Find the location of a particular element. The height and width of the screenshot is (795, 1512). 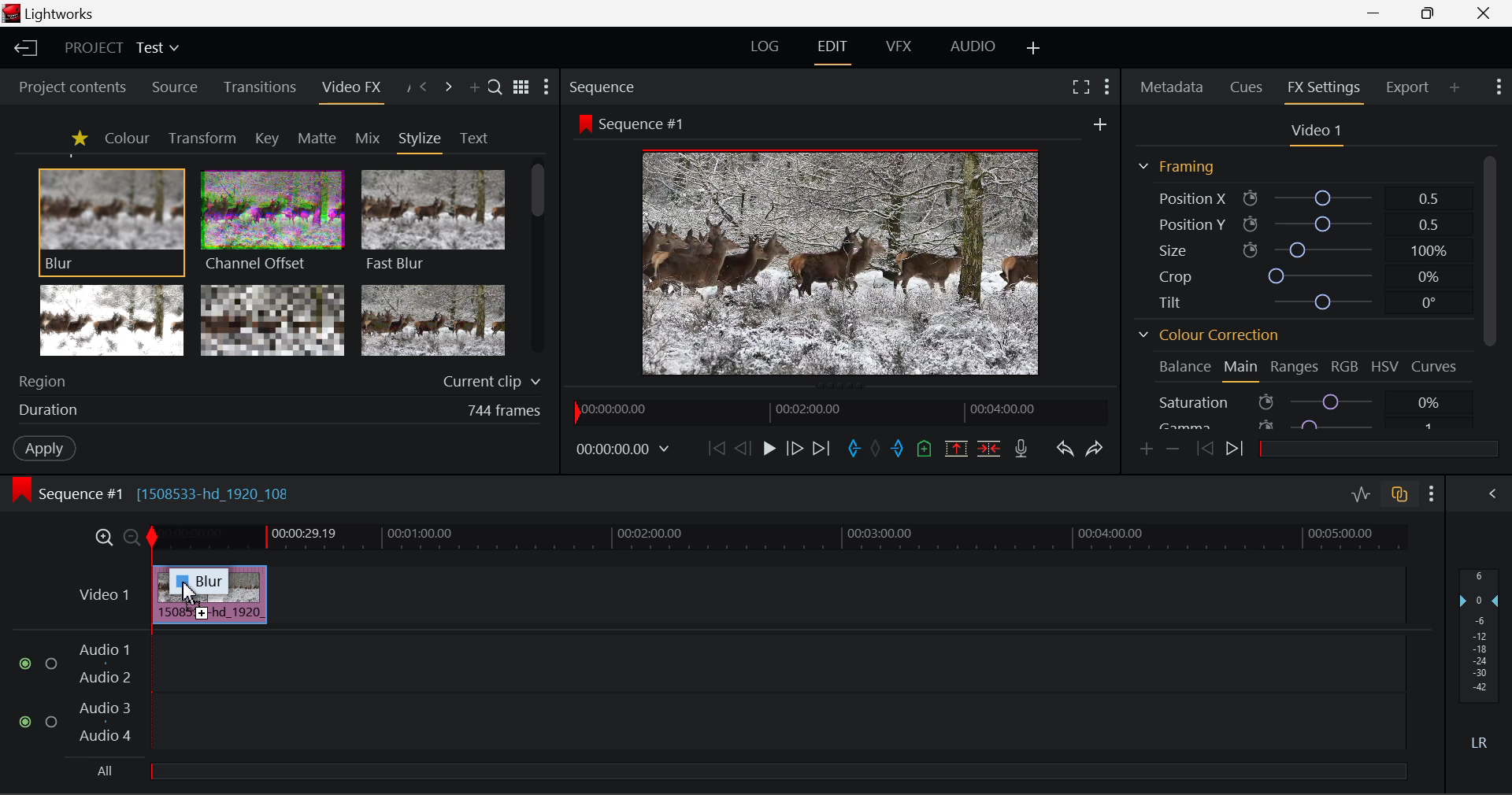

Show Settings is located at coordinates (550, 87).